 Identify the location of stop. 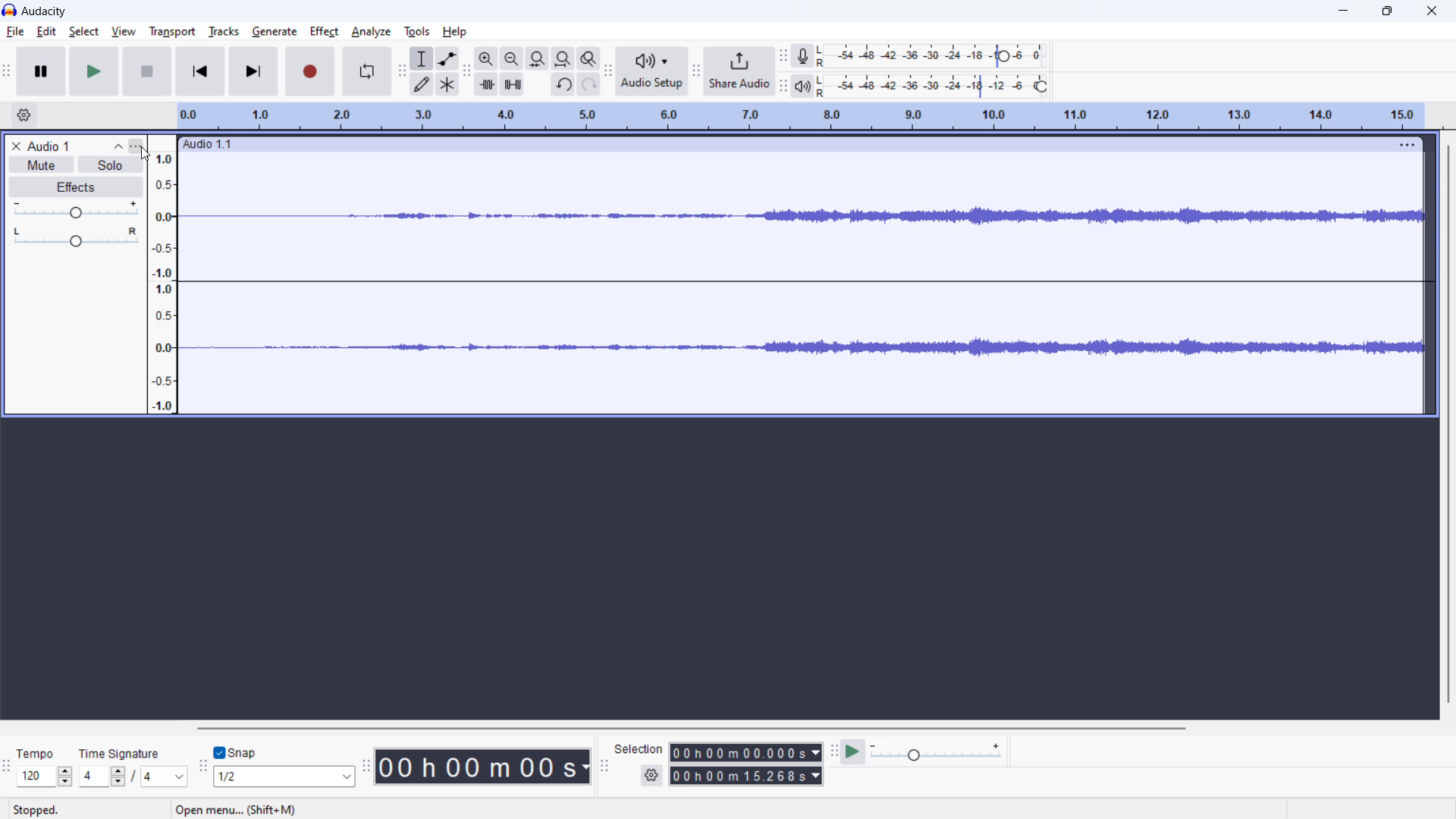
(147, 71).